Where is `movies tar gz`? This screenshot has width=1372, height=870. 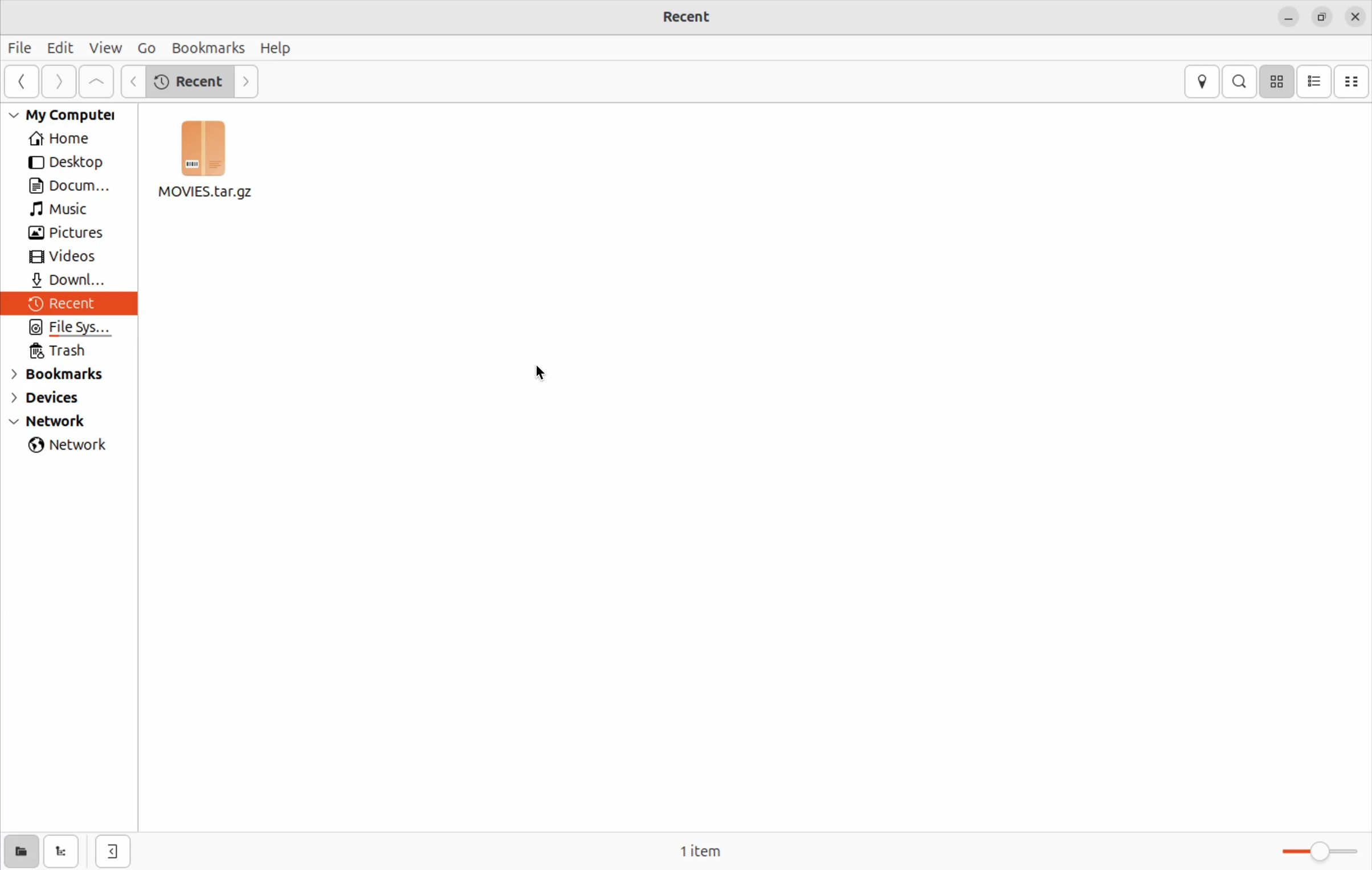 movies tar gz is located at coordinates (209, 165).